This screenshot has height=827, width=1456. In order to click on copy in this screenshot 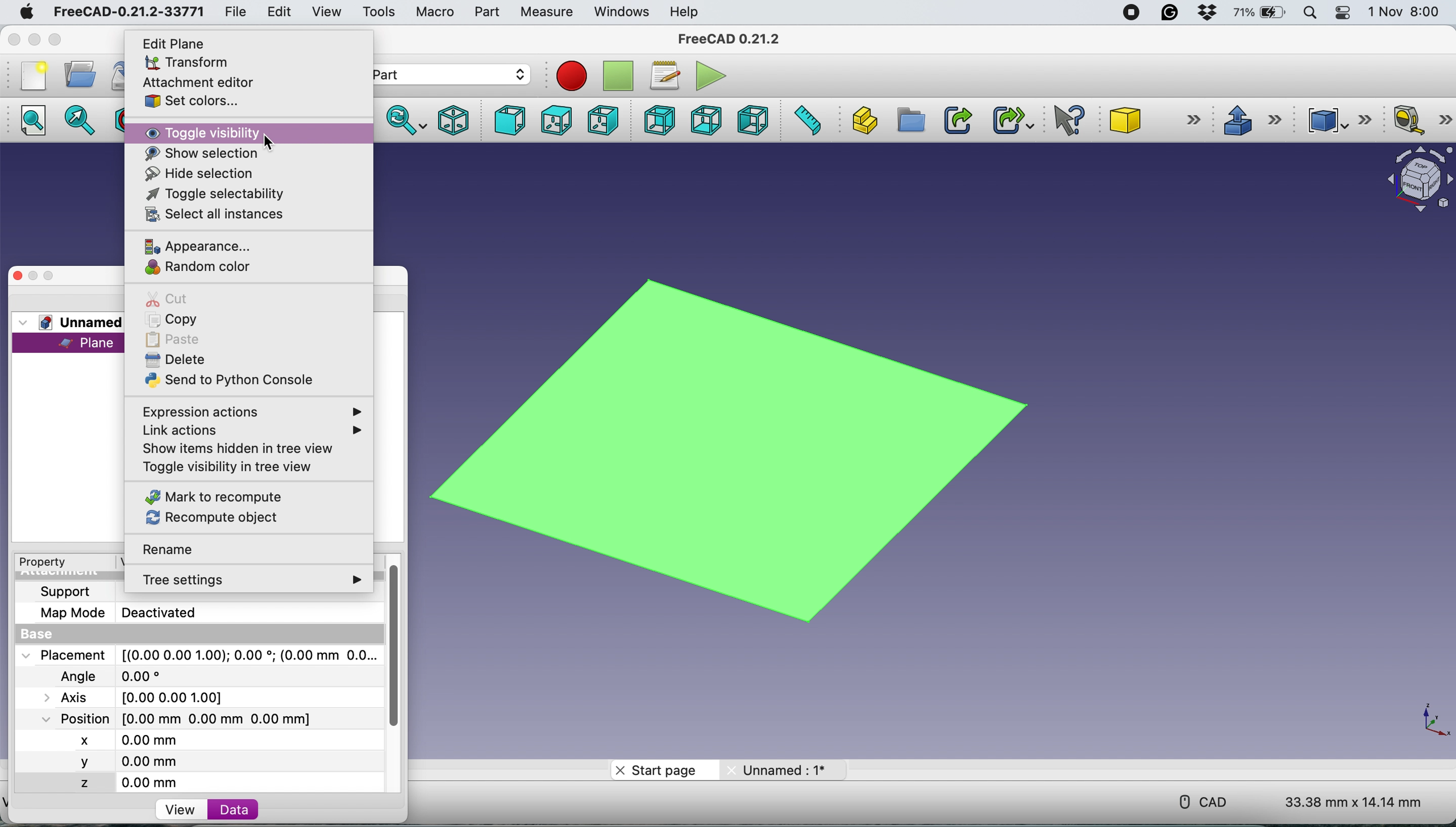, I will do `click(173, 322)`.